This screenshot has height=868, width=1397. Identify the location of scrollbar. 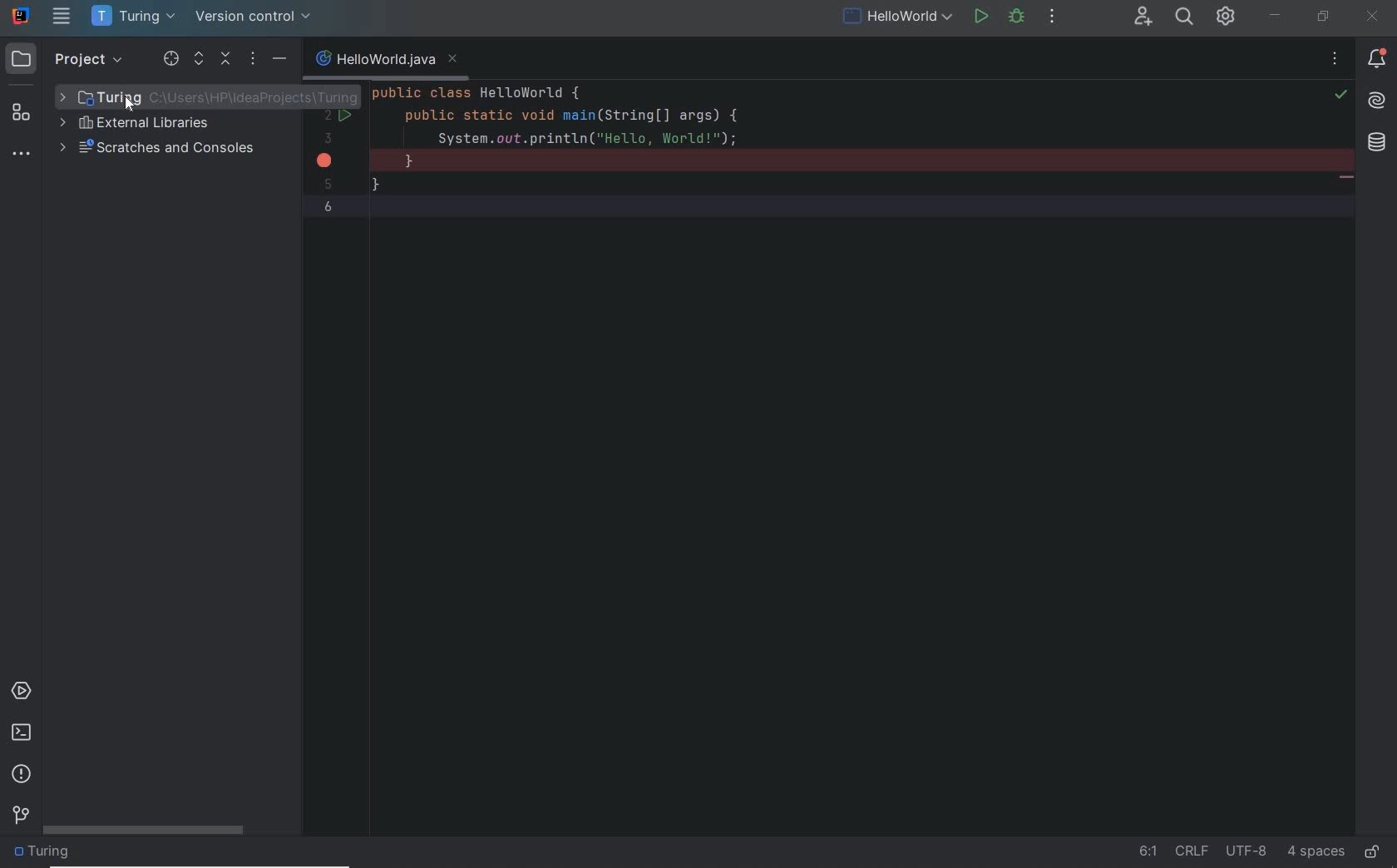
(146, 831).